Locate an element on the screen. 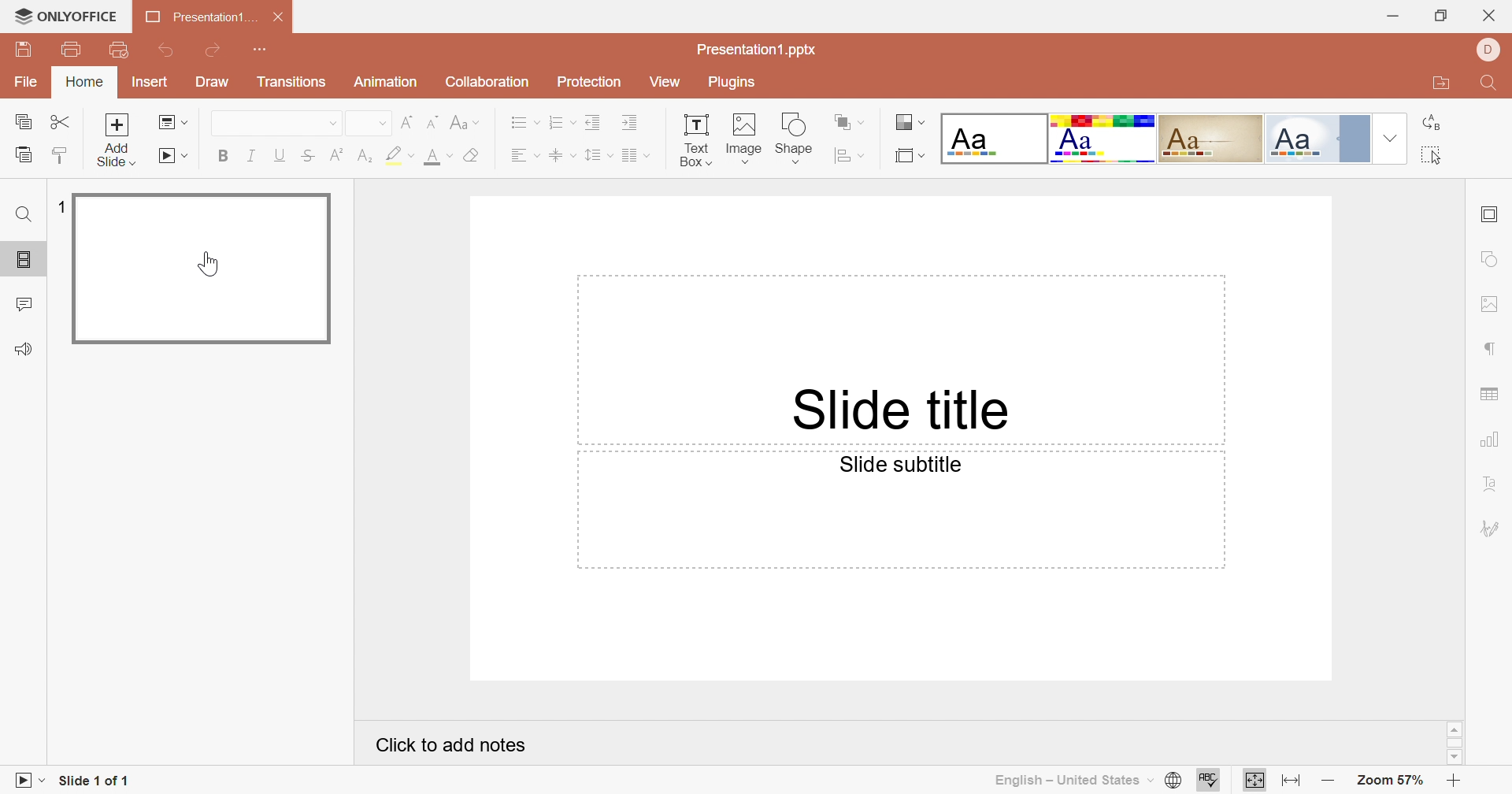  Drop Down is located at coordinates (328, 124).